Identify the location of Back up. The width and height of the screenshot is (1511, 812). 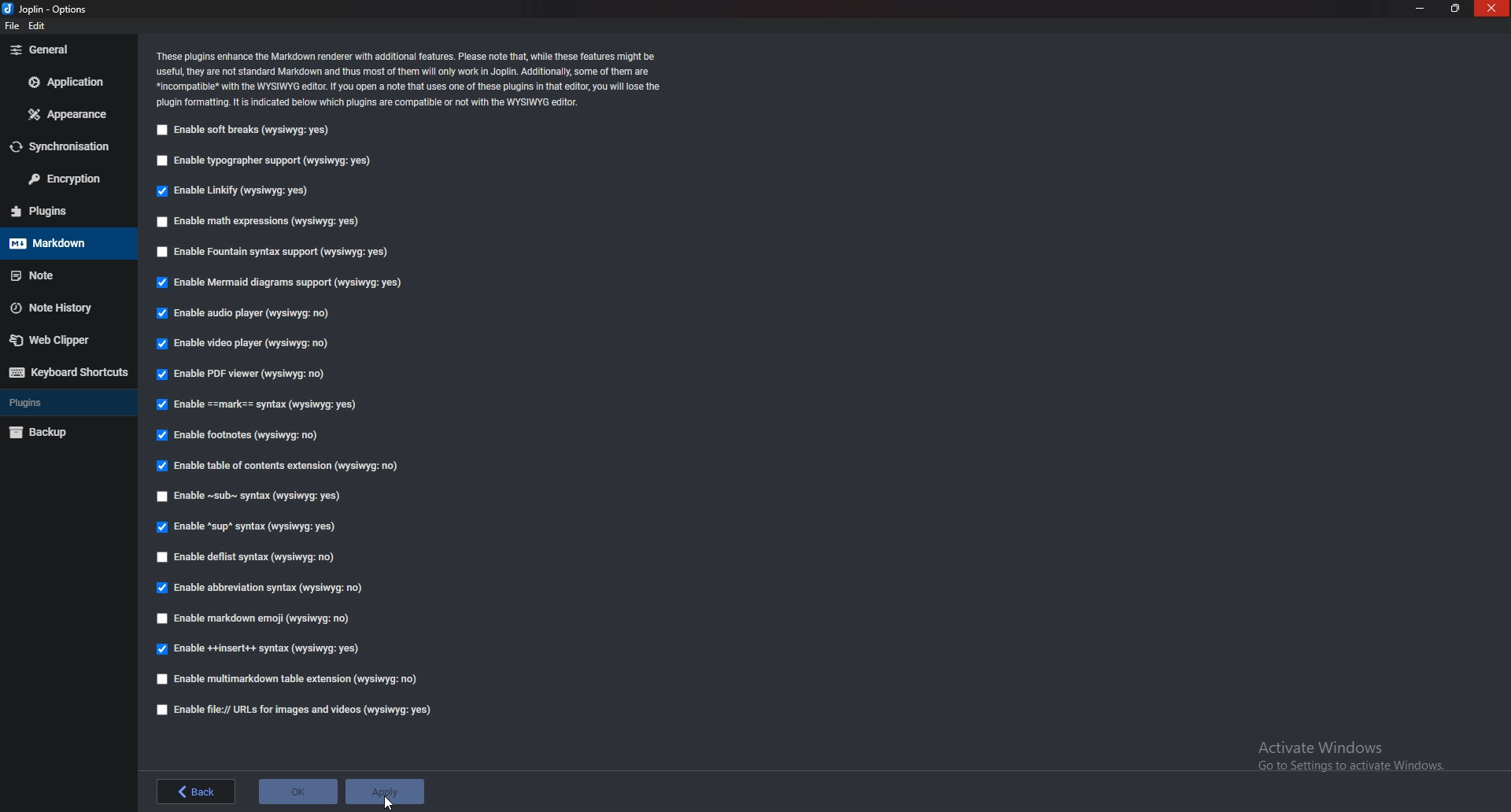
(61, 434).